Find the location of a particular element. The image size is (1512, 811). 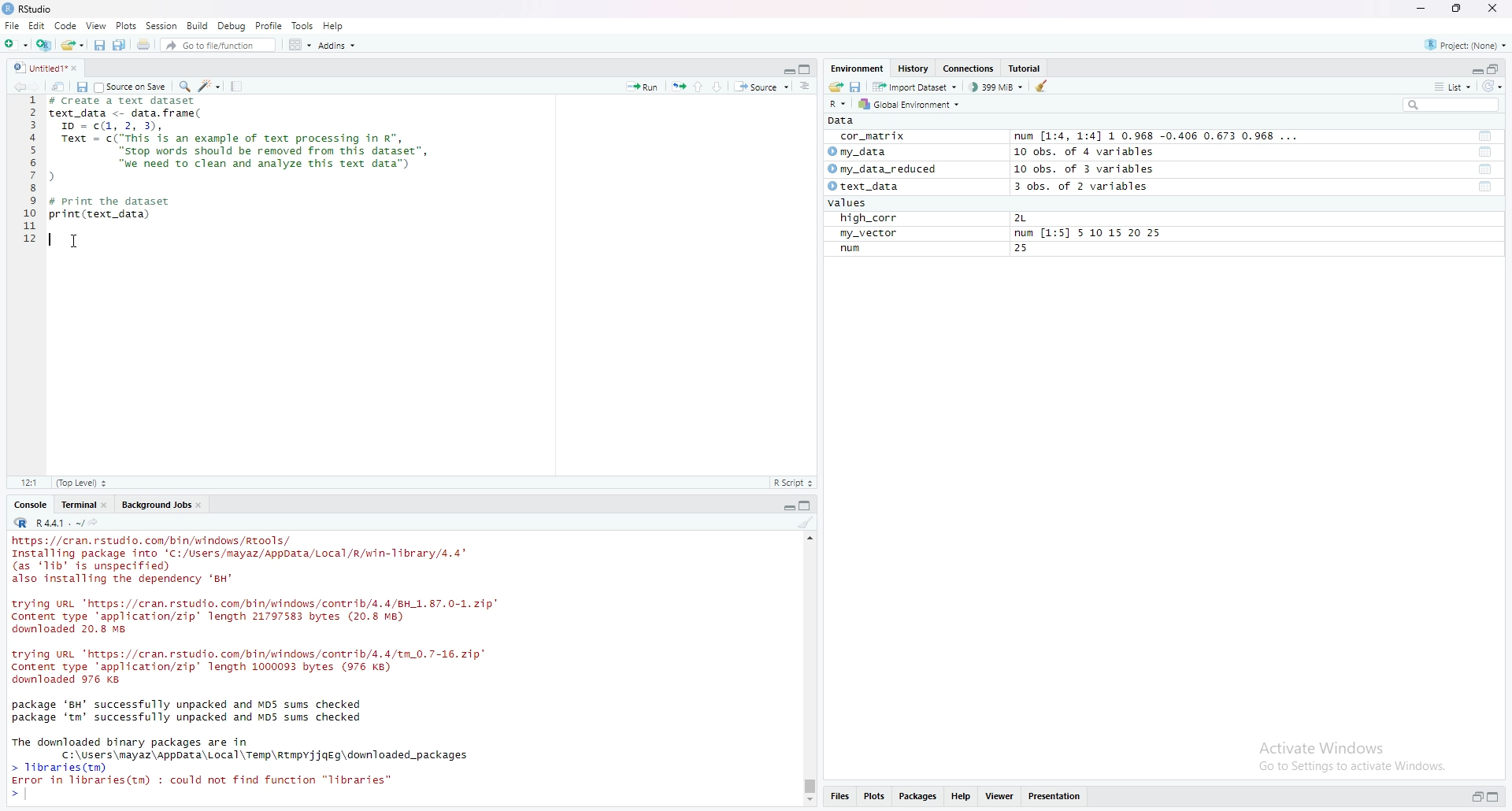

maximize is located at coordinates (1454, 8).